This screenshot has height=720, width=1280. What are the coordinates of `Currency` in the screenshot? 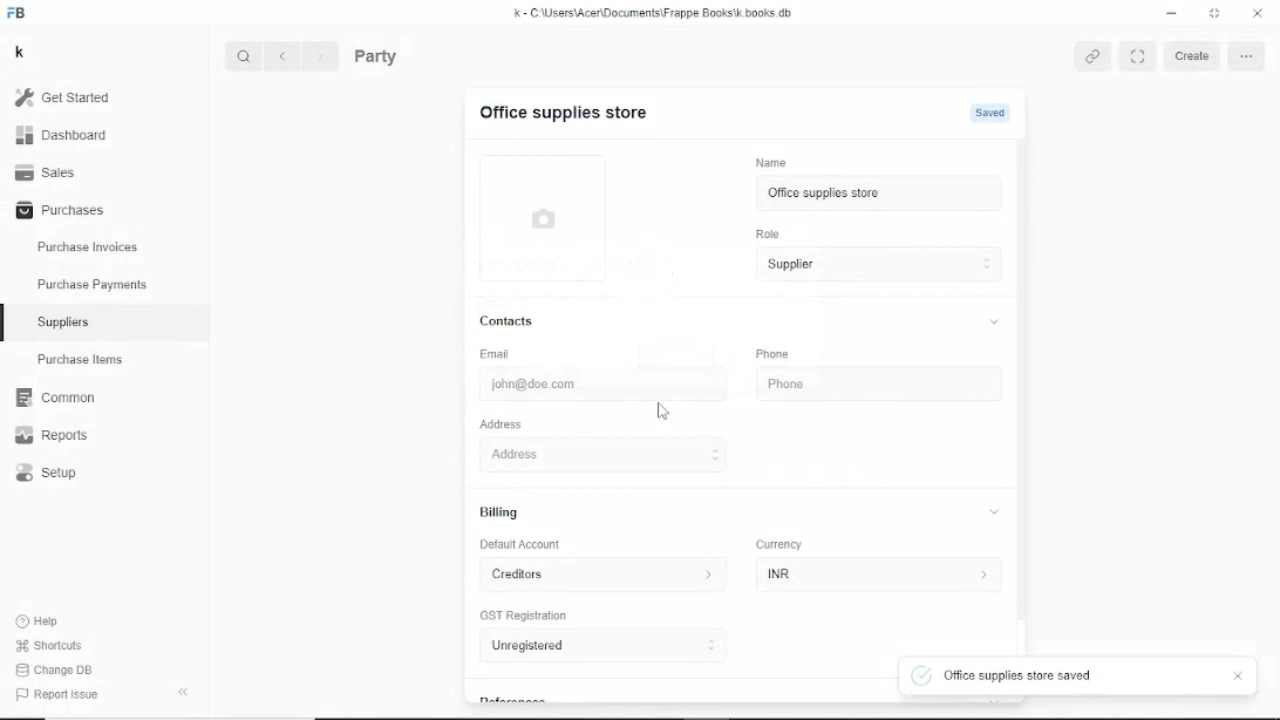 It's located at (780, 544).